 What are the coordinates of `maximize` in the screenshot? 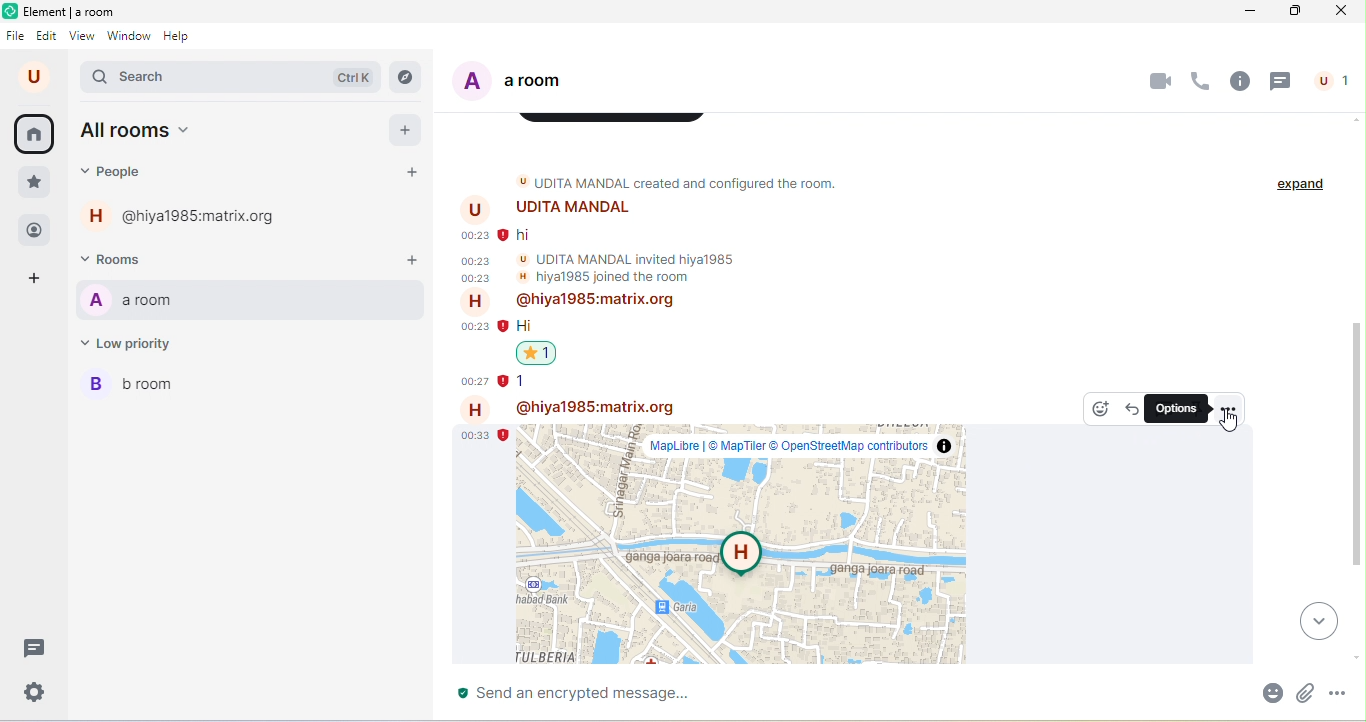 It's located at (1290, 11).